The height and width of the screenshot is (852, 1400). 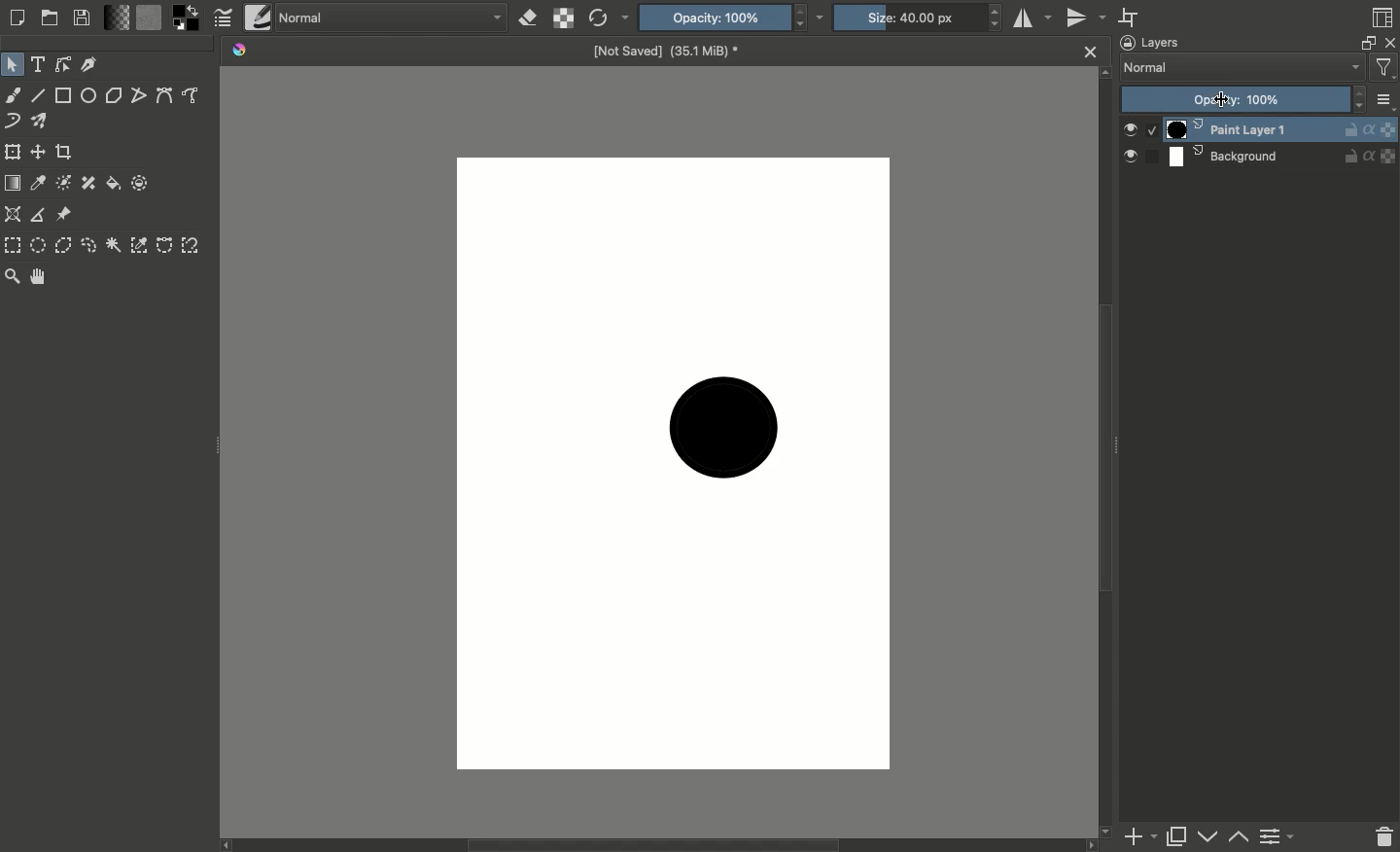 I want to click on cursor, so click(x=1221, y=99).